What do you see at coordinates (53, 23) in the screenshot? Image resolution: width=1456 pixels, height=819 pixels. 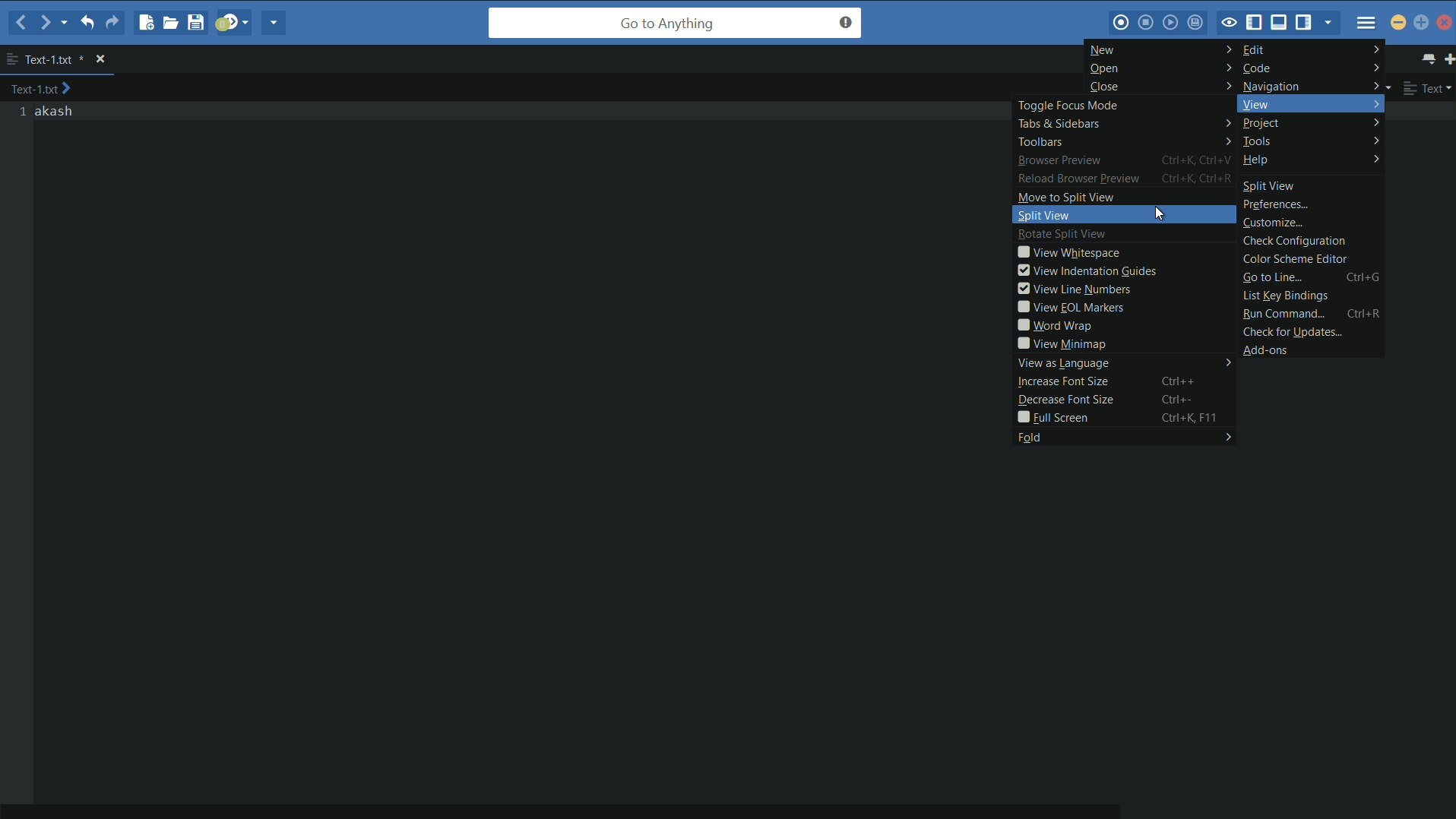 I see `forward` at bounding box center [53, 23].